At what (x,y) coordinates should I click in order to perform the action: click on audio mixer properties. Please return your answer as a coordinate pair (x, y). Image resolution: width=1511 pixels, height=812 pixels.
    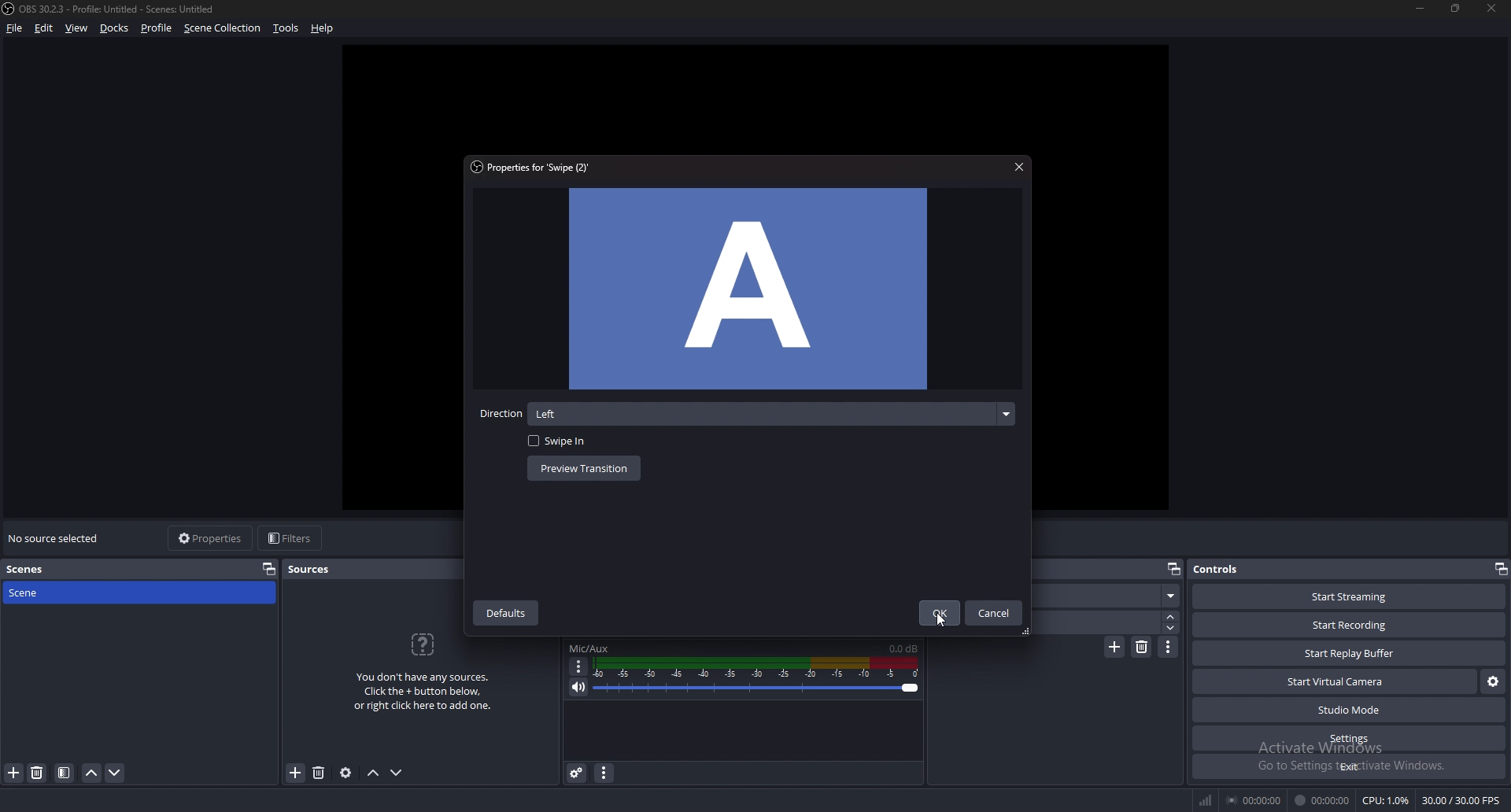
    Looking at the image, I should click on (605, 773).